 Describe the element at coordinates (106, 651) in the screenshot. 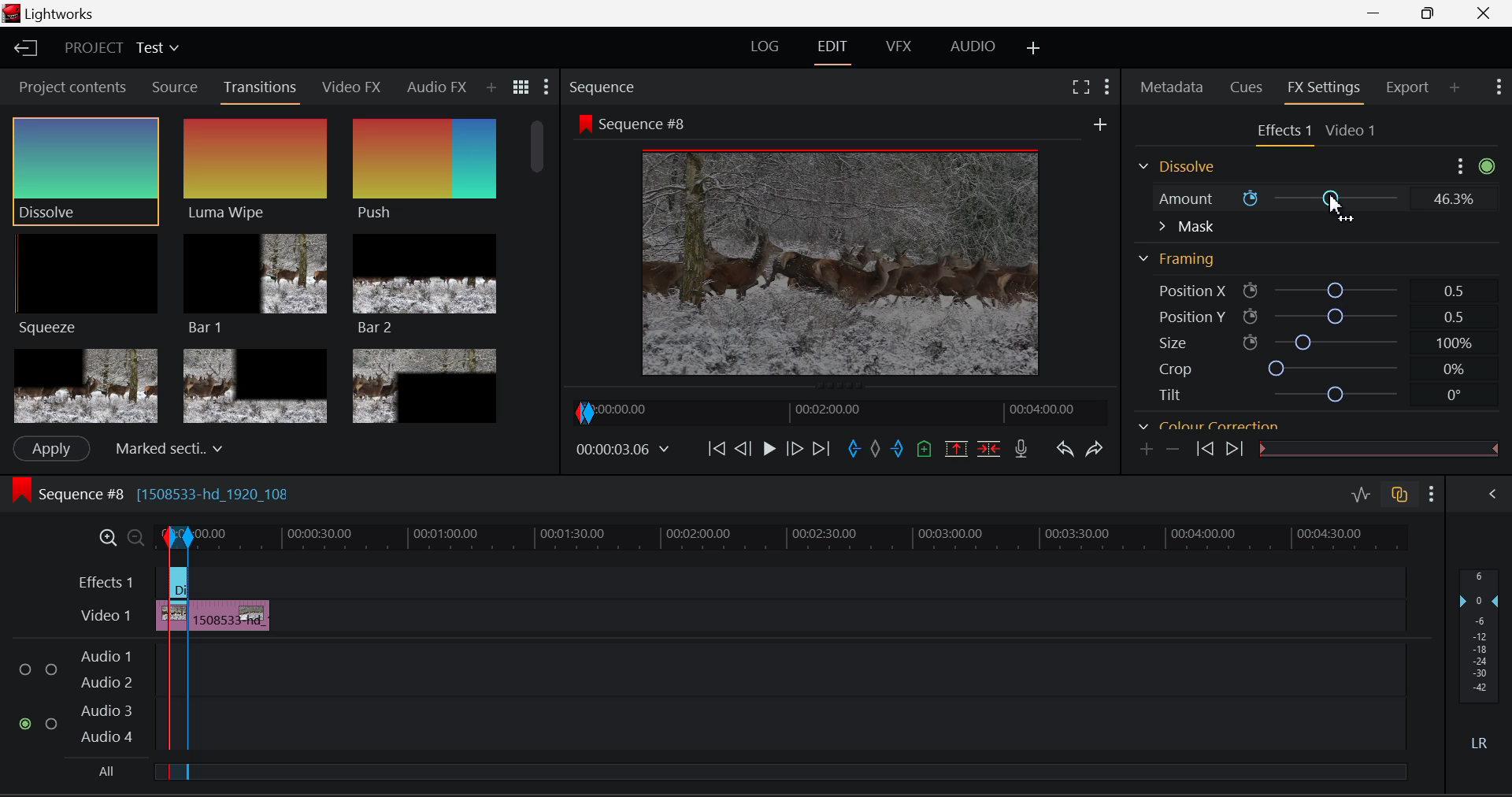

I see `Audio 1` at that location.